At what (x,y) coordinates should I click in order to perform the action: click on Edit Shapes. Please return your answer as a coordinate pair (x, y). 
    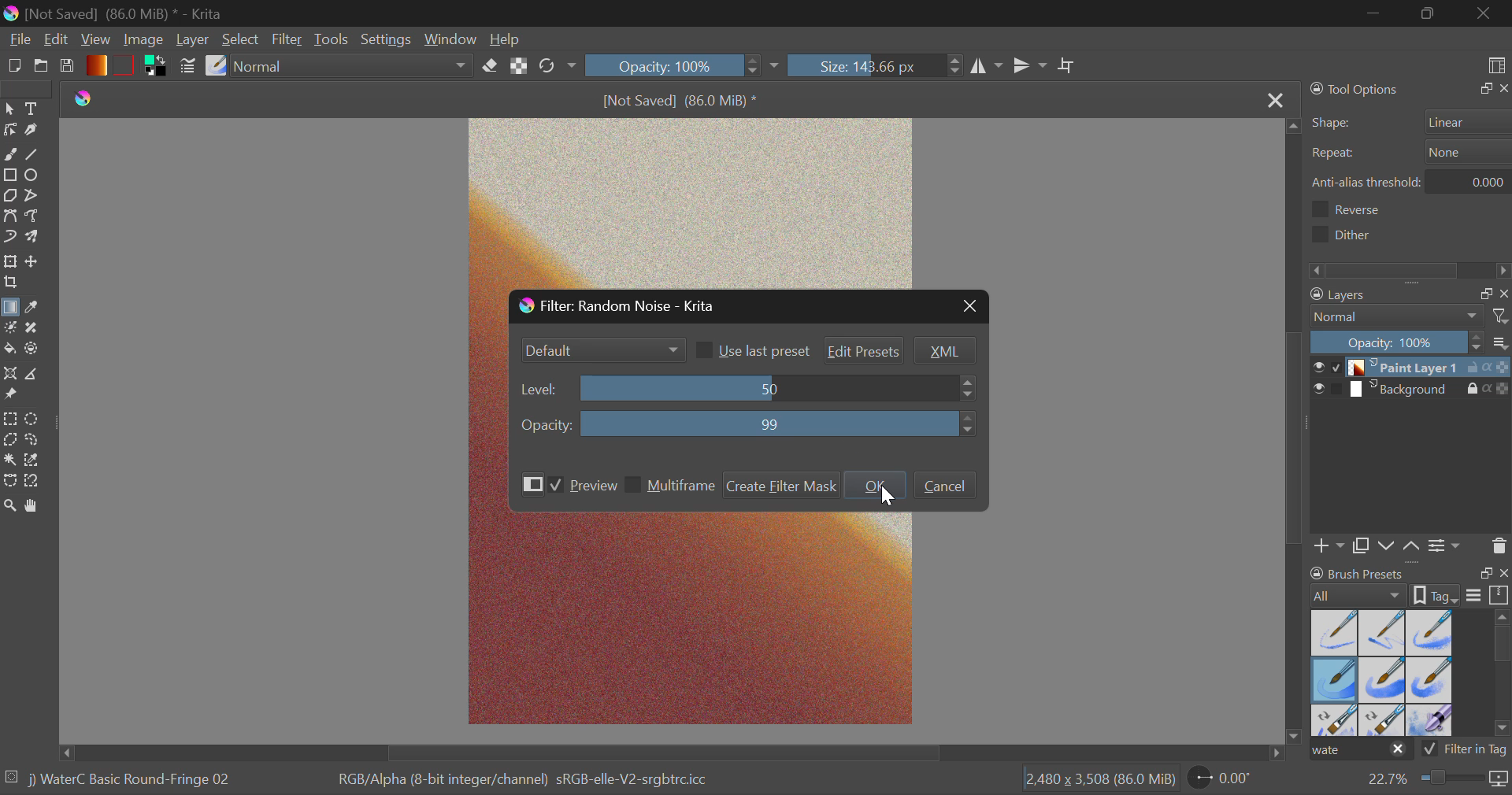
    Looking at the image, I should click on (10, 131).